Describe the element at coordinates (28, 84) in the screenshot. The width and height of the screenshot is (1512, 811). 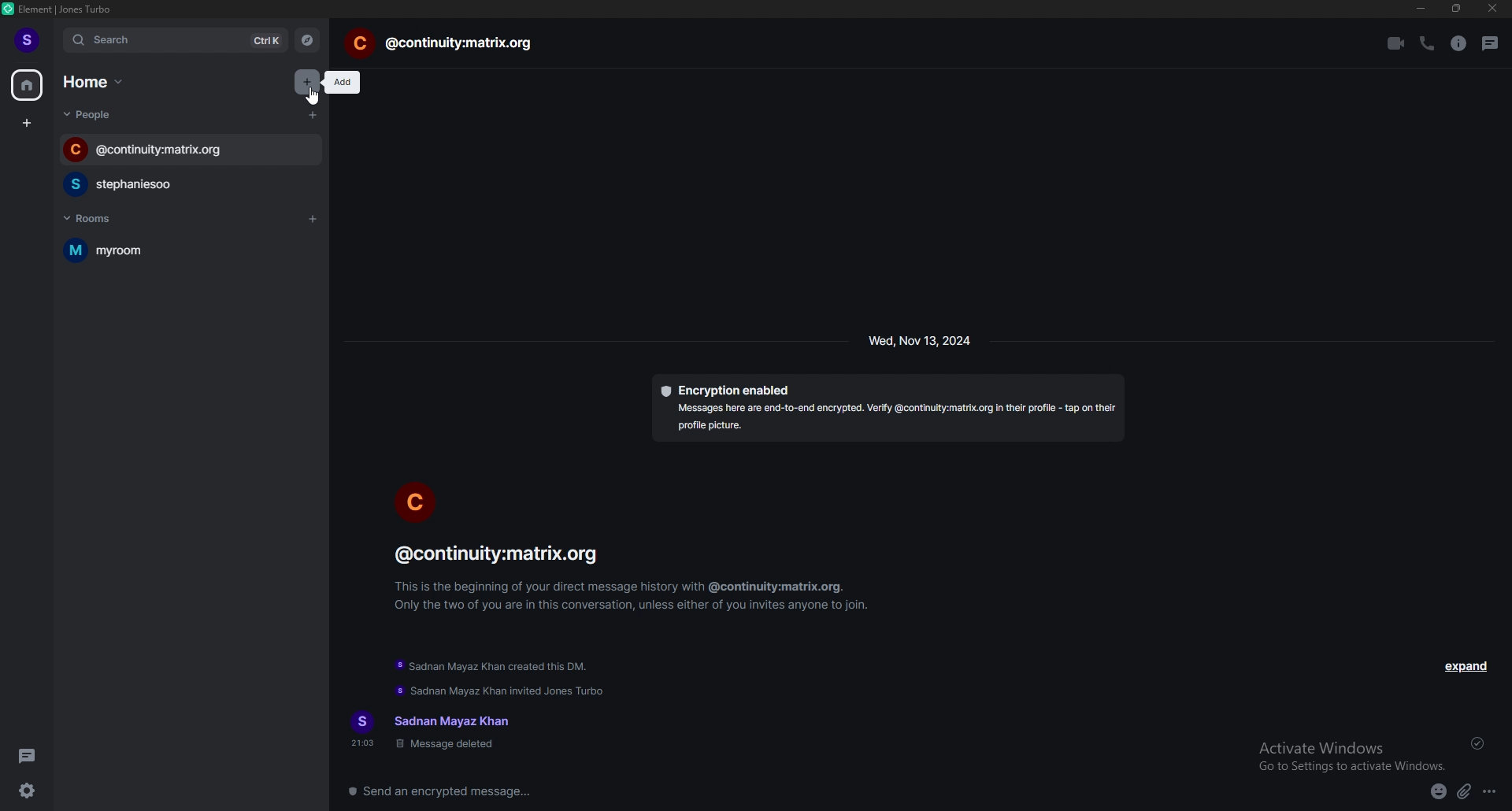
I see `home` at that location.